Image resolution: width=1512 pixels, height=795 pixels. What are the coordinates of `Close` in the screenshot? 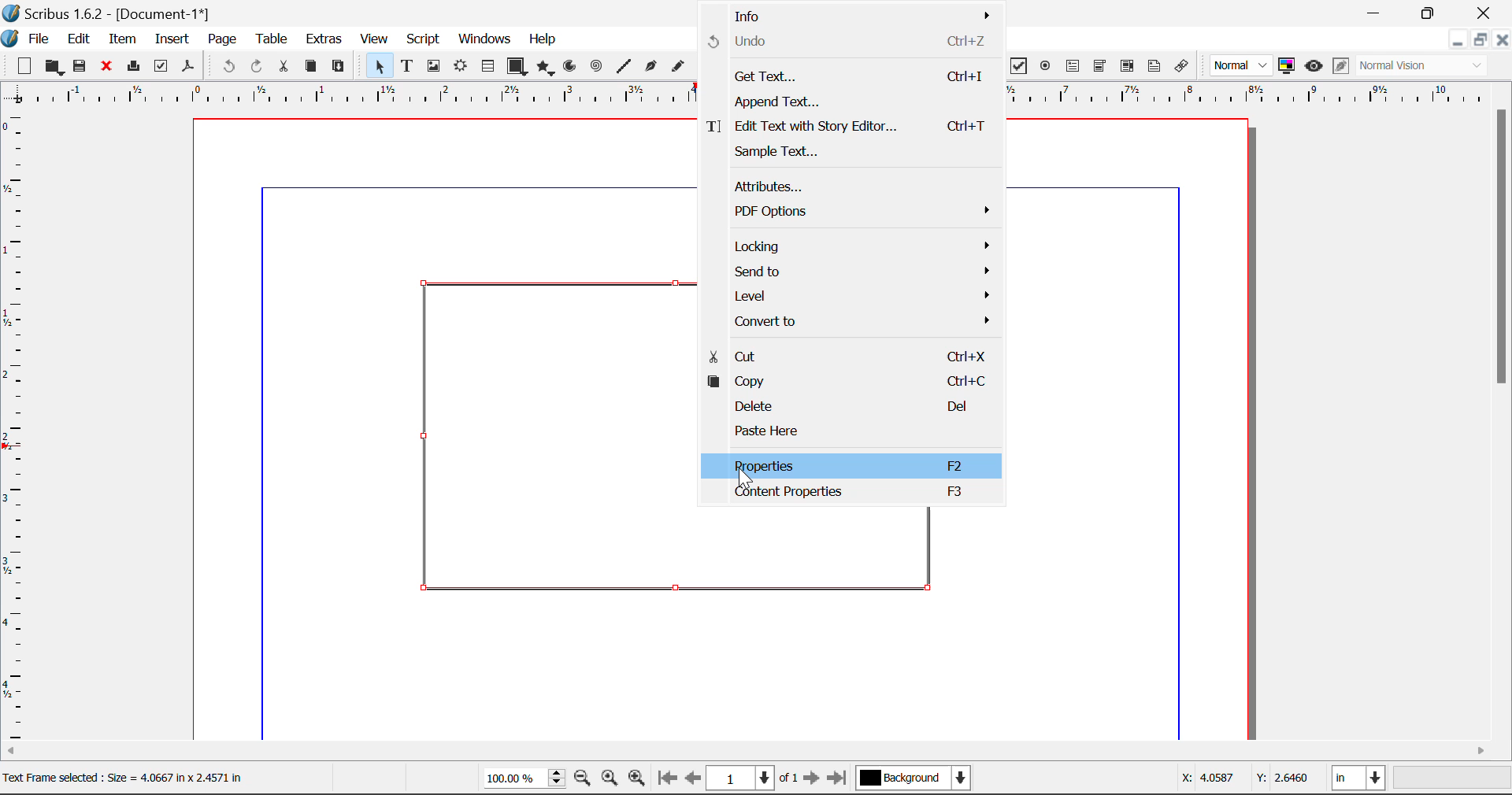 It's located at (1485, 13).